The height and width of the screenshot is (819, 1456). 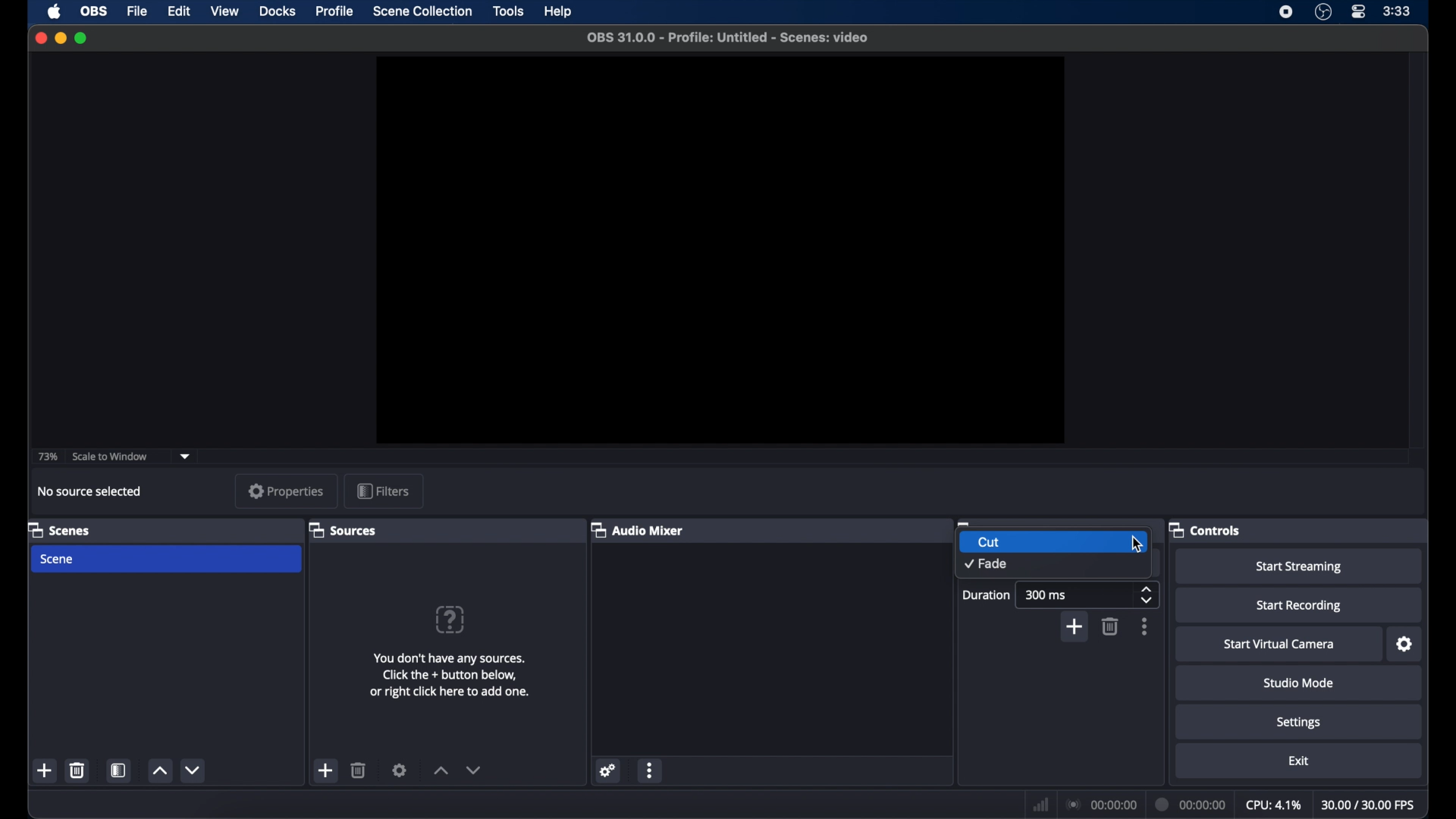 I want to click on You don't have any sources.
Click the + button below,
or right click here to add one., so click(x=457, y=684).